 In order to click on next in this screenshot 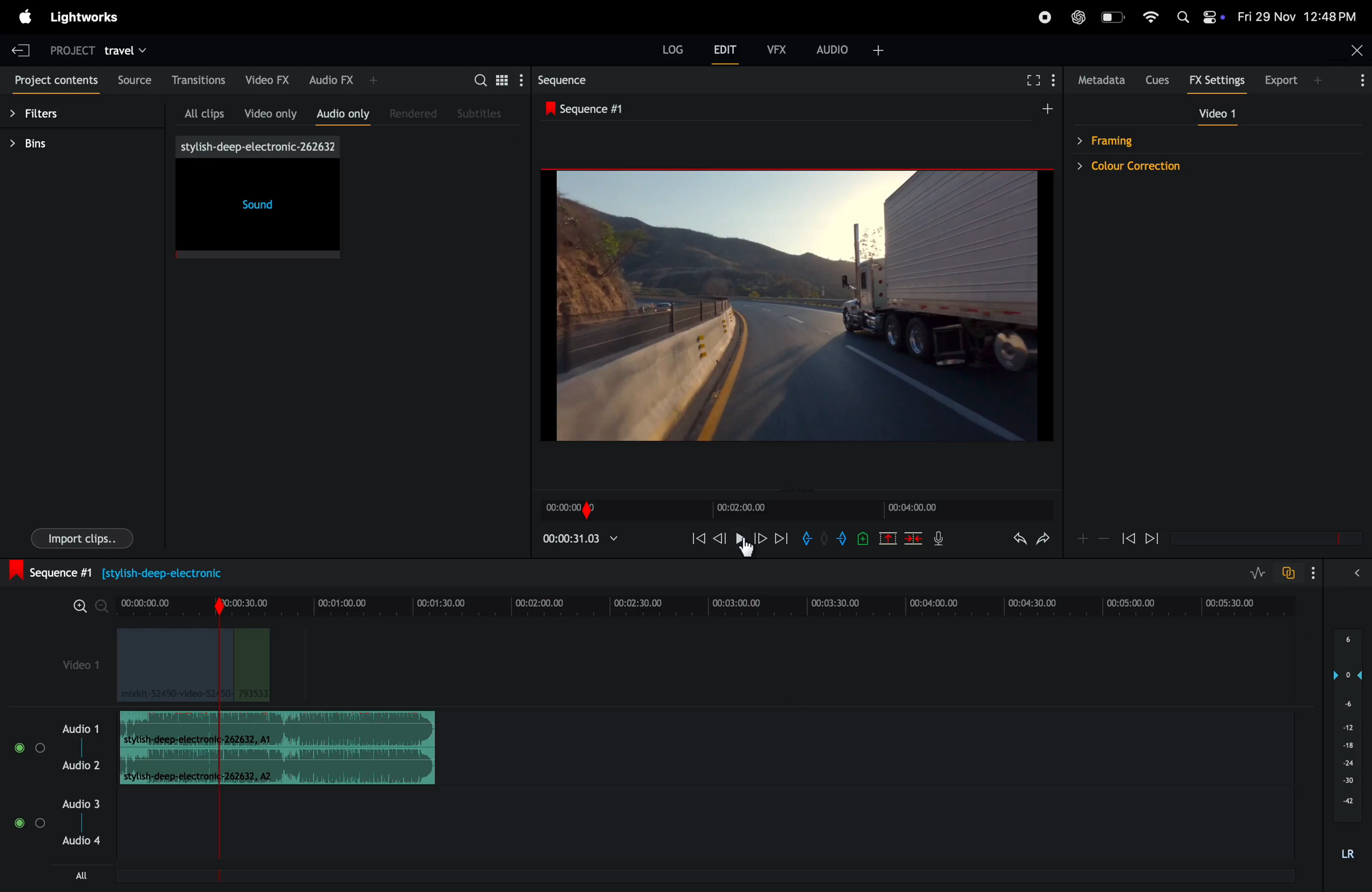, I will do `click(782, 538)`.